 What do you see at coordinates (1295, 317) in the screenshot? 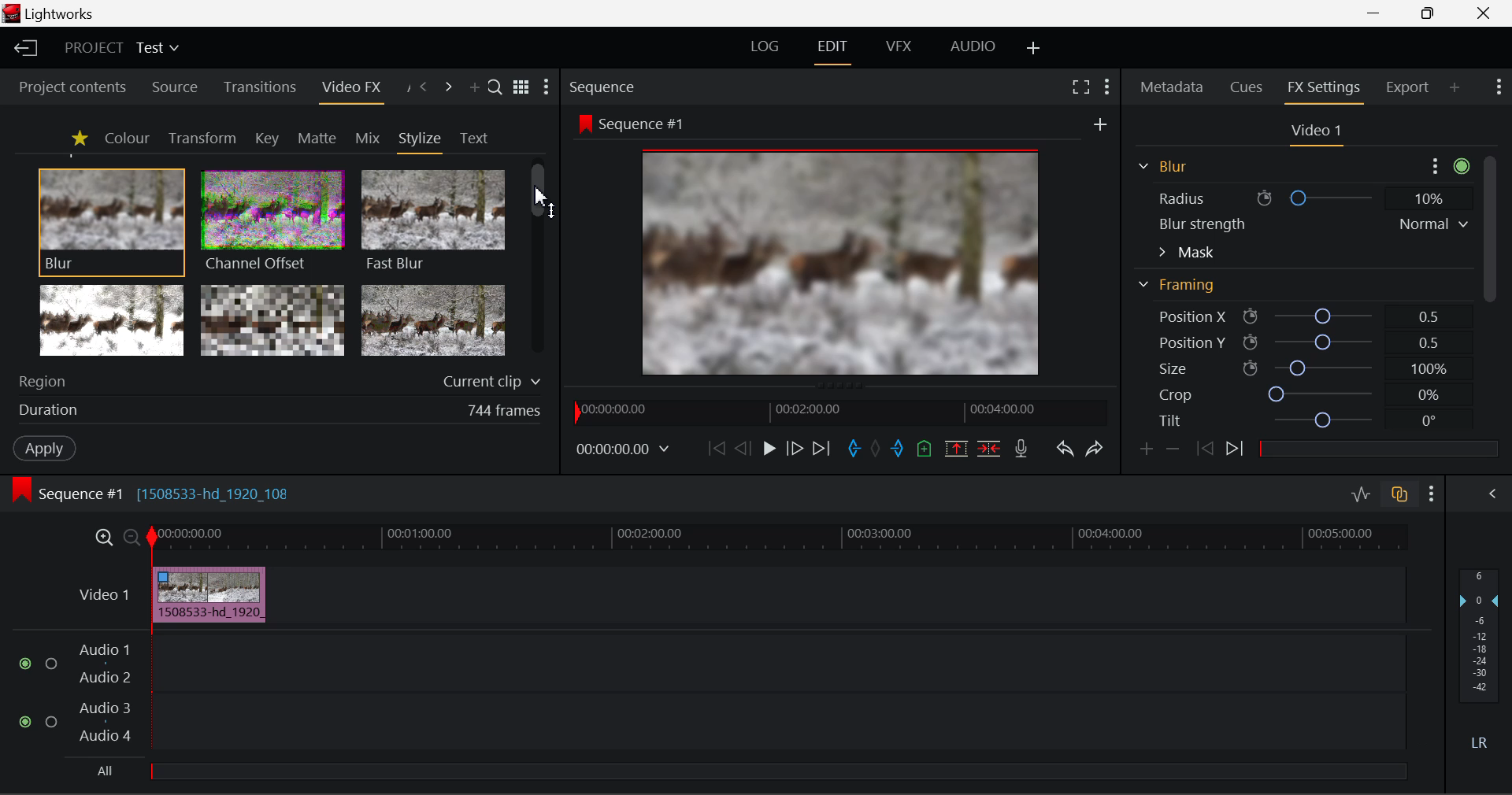
I see `Position X` at bounding box center [1295, 317].